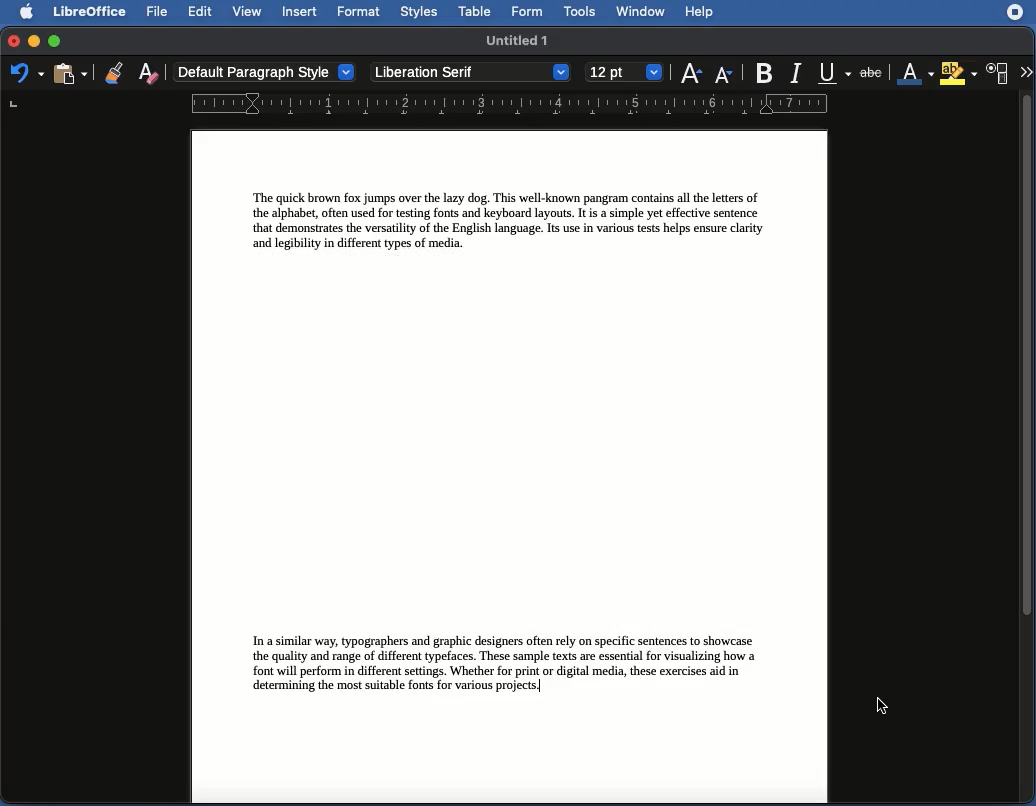 This screenshot has width=1036, height=806. I want to click on clipboard, so click(69, 73).